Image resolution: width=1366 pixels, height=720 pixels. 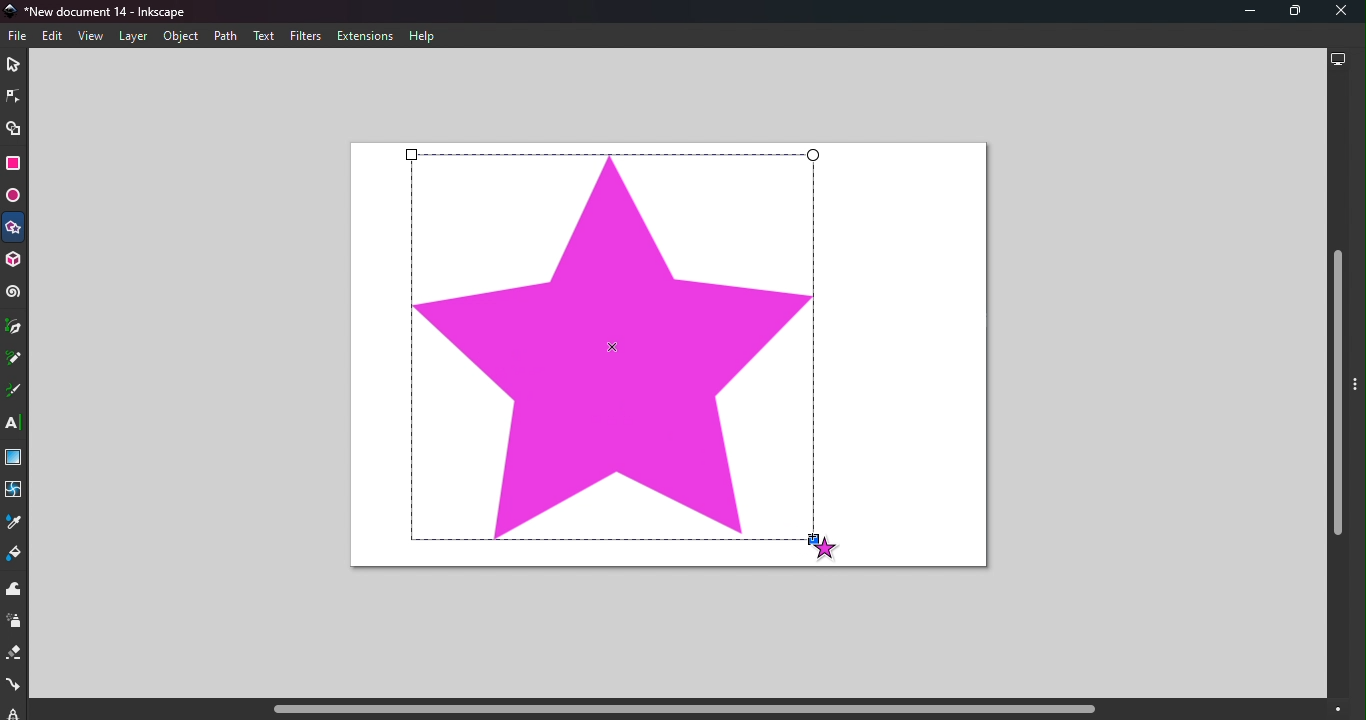 What do you see at coordinates (104, 11) in the screenshot?
I see `Document name` at bounding box center [104, 11].